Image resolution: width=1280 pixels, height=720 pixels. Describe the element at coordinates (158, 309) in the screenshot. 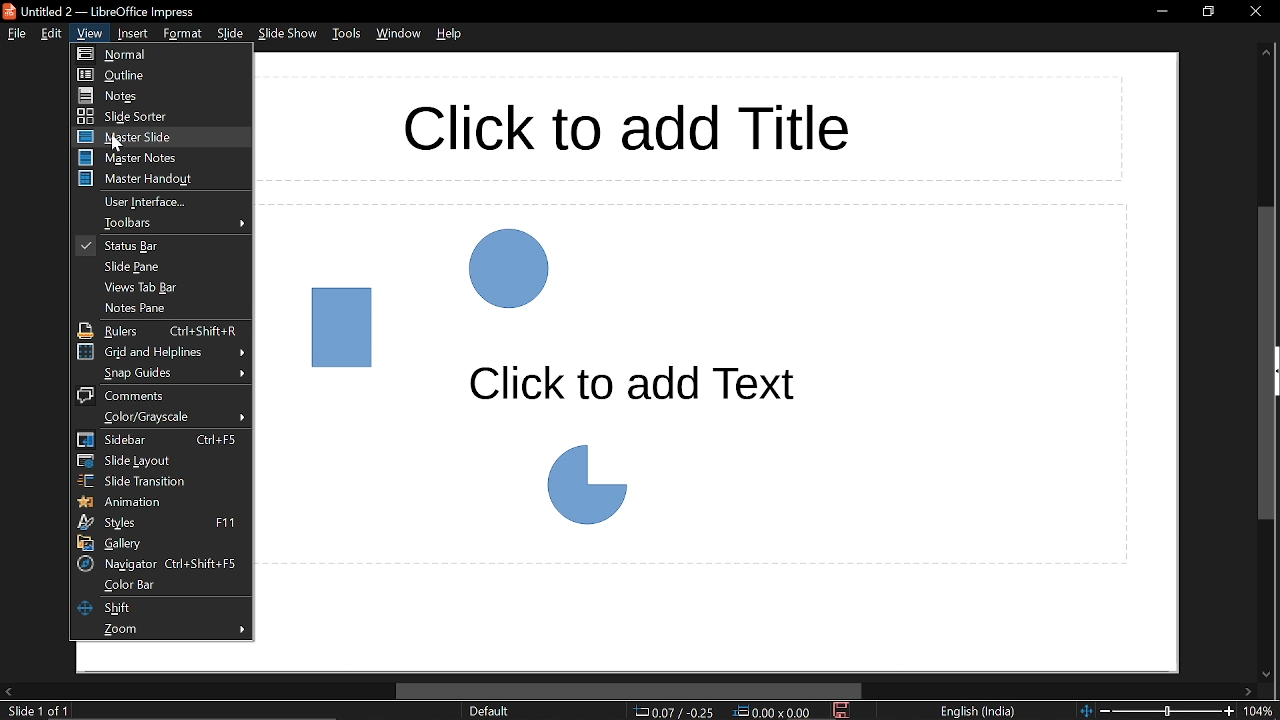

I see `Notes pane` at that location.